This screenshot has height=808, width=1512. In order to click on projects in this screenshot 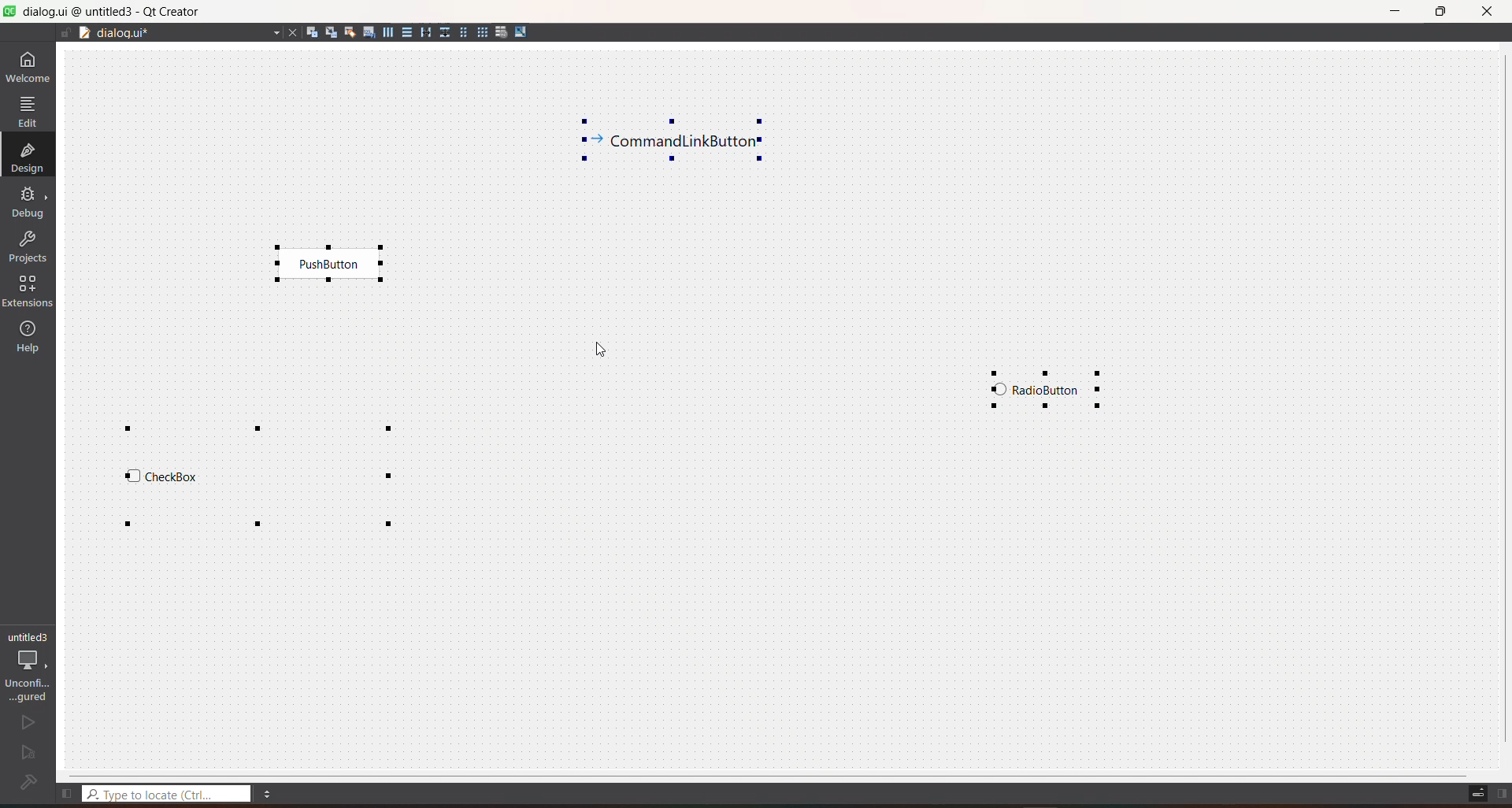, I will do `click(28, 246)`.